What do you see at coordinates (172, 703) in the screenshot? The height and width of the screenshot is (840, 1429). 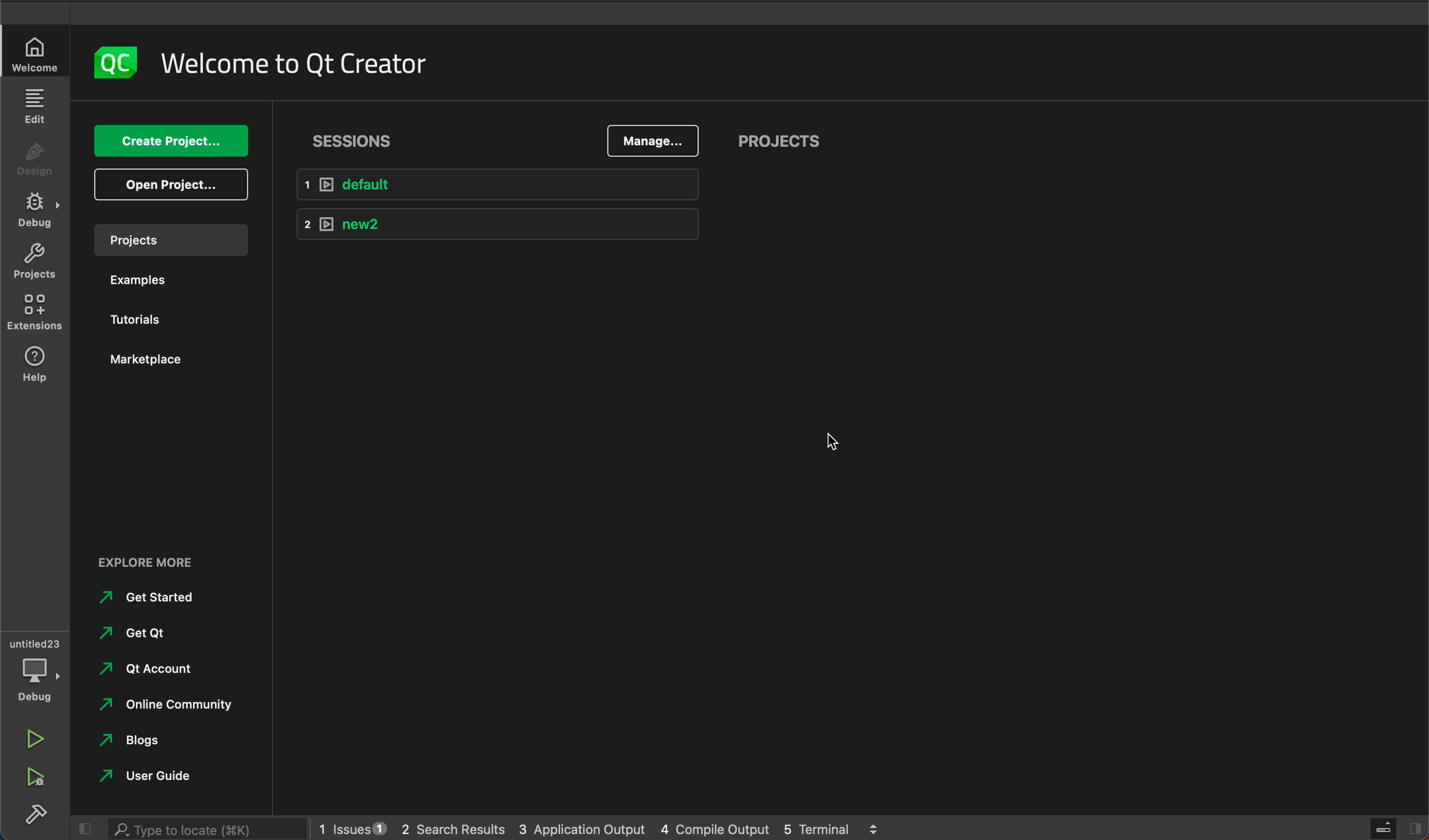 I see `online` at bounding box center [172, 703].